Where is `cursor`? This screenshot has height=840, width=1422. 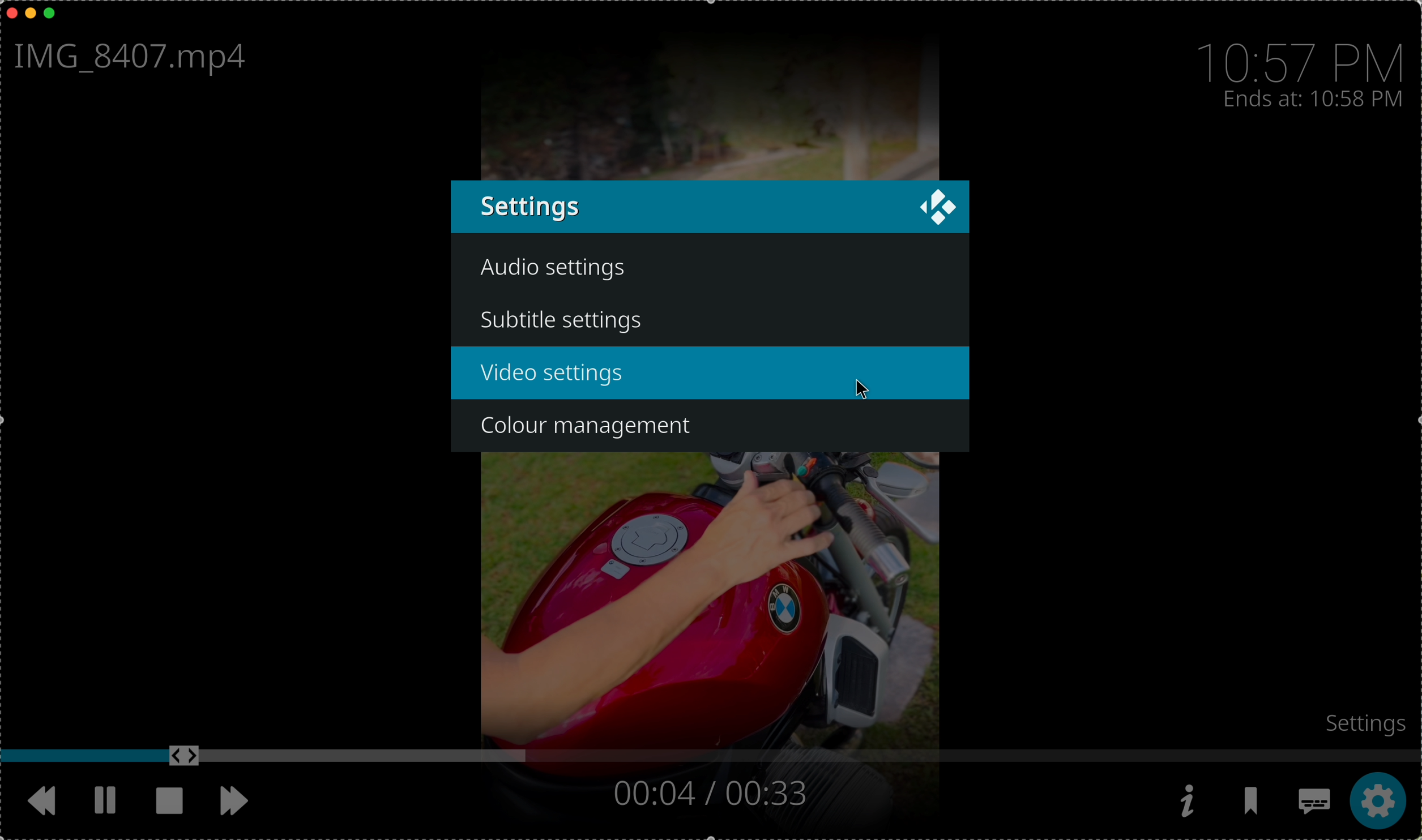 cursor is located at coordinates (867, 389).